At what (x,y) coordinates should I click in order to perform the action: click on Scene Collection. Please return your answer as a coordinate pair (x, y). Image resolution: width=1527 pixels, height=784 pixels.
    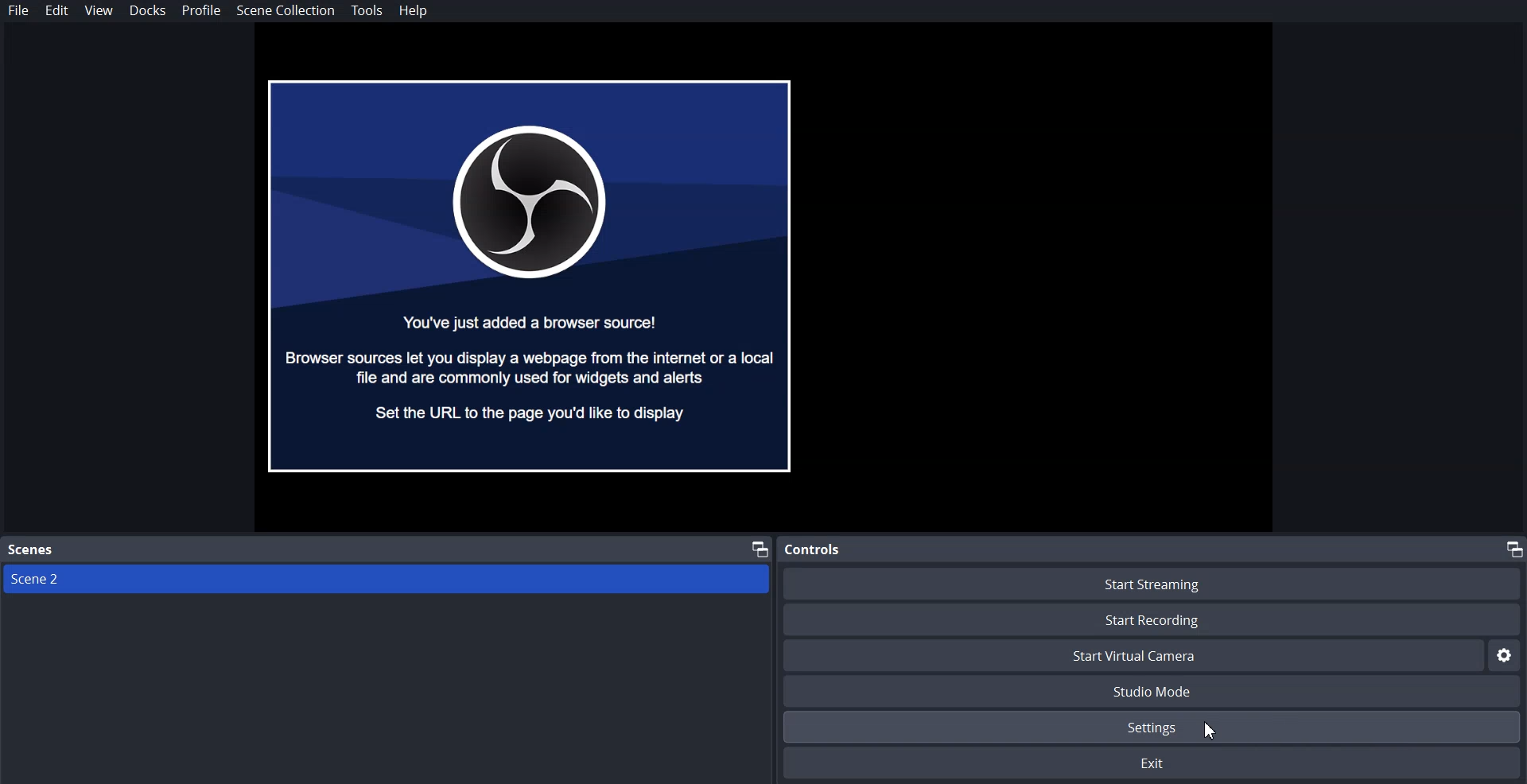
    Looking at the image, I should click on (286, 11).